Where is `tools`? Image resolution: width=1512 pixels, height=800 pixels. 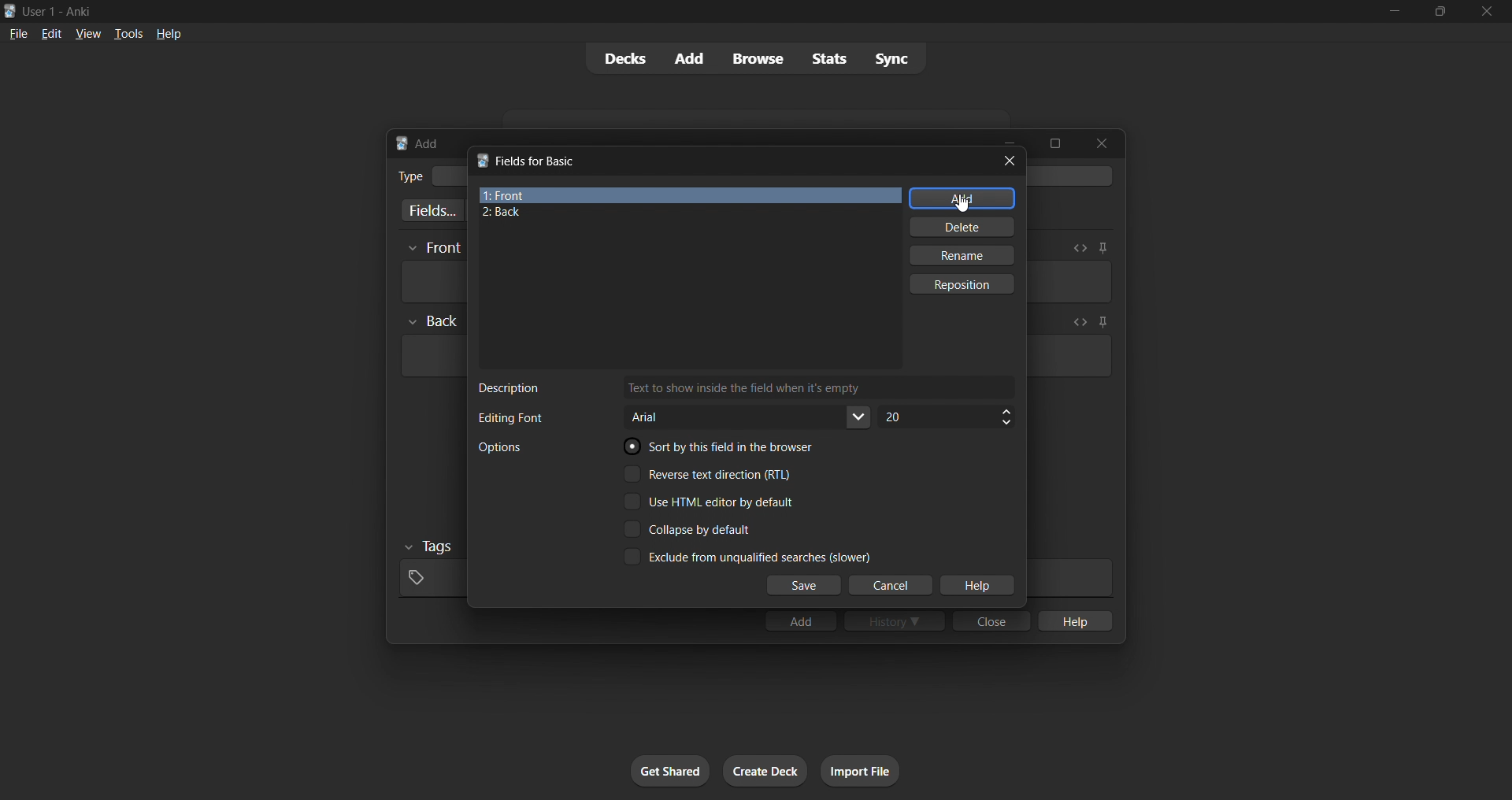
tools is located at coordinates (127, 33).